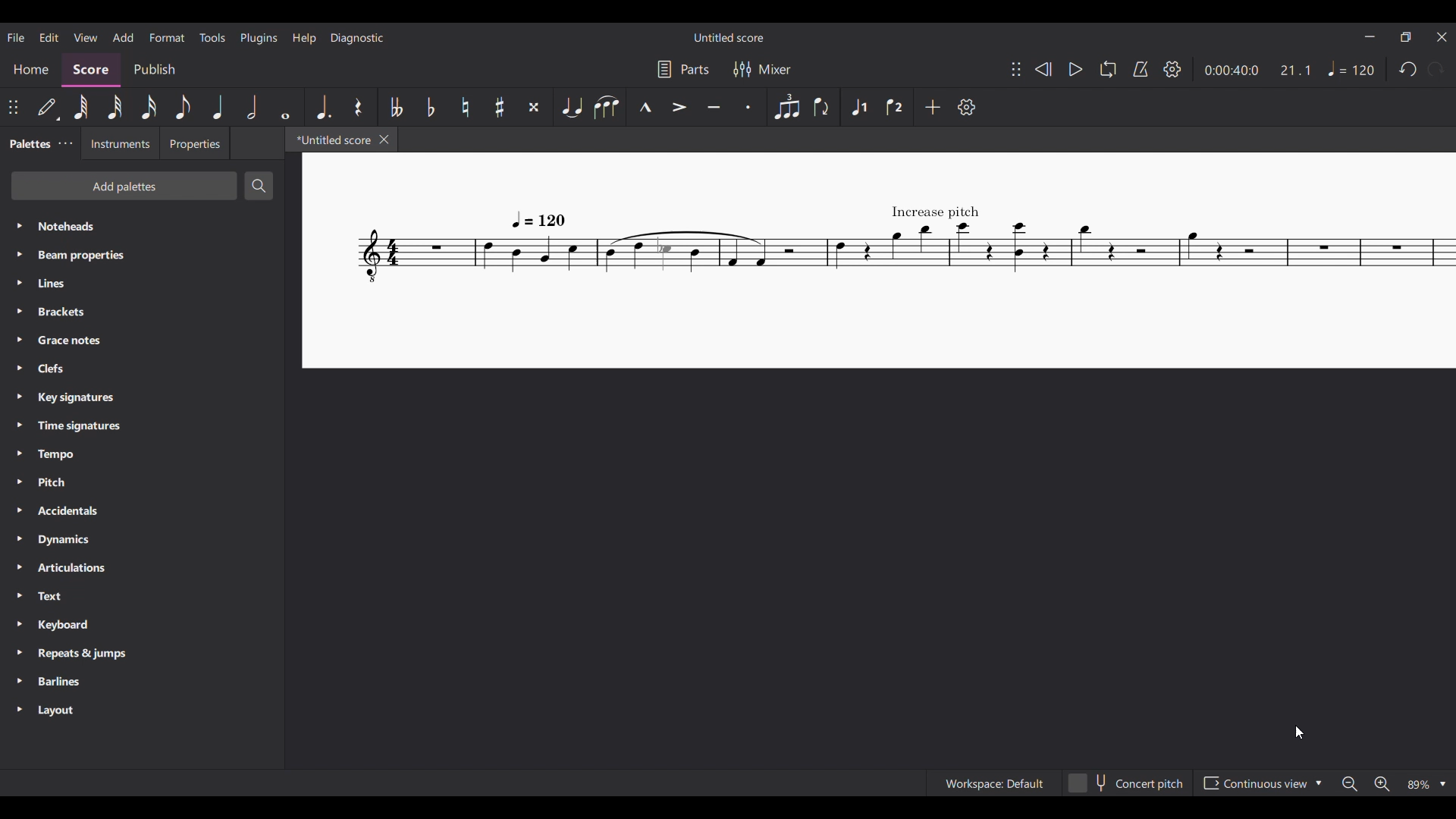  I want to click on Tempo, so click(1351, 68).